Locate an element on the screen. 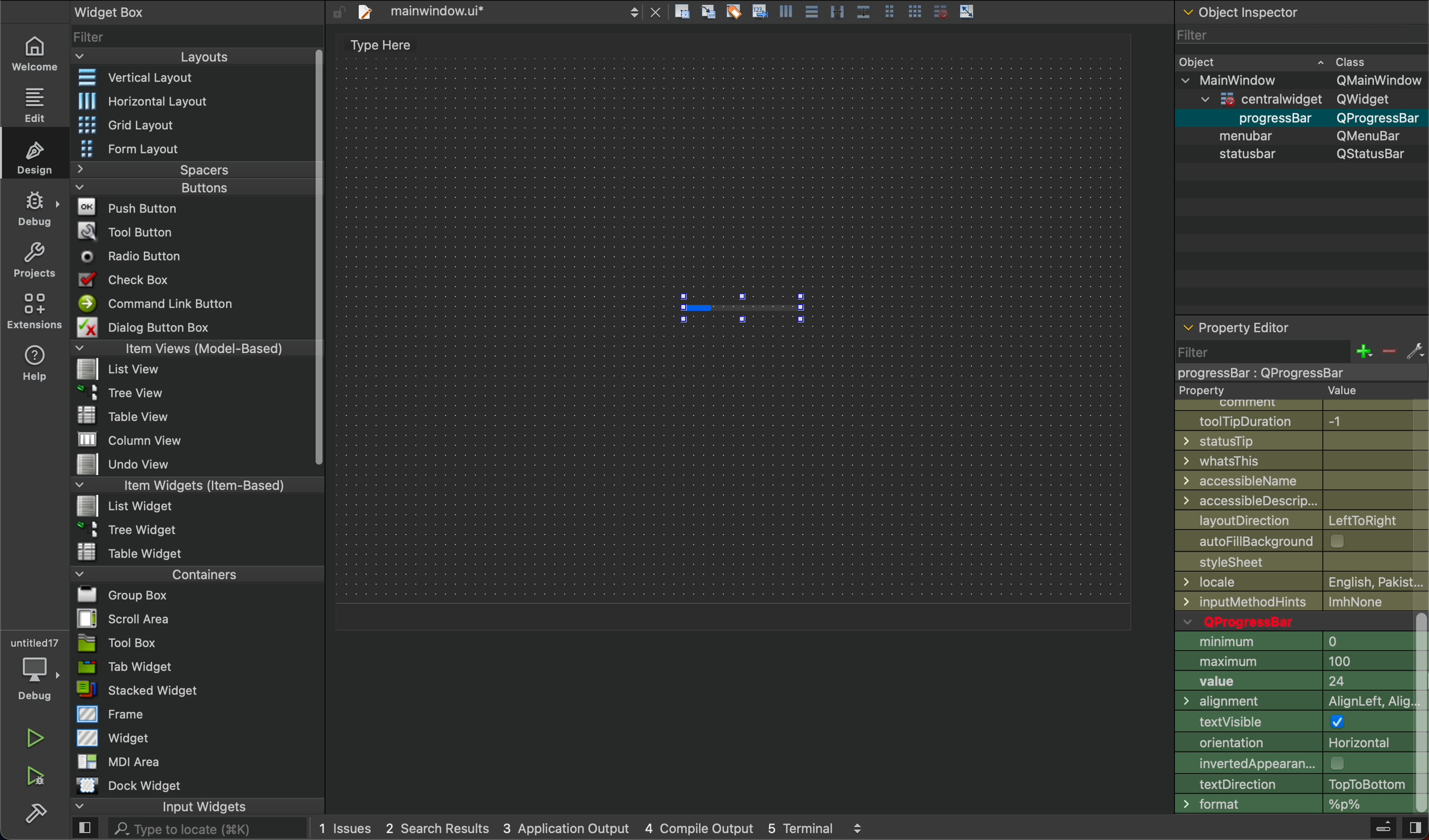 The height and width of the screenshot is (840, 1429). Grid Layout is located at coordinates (157, 124).